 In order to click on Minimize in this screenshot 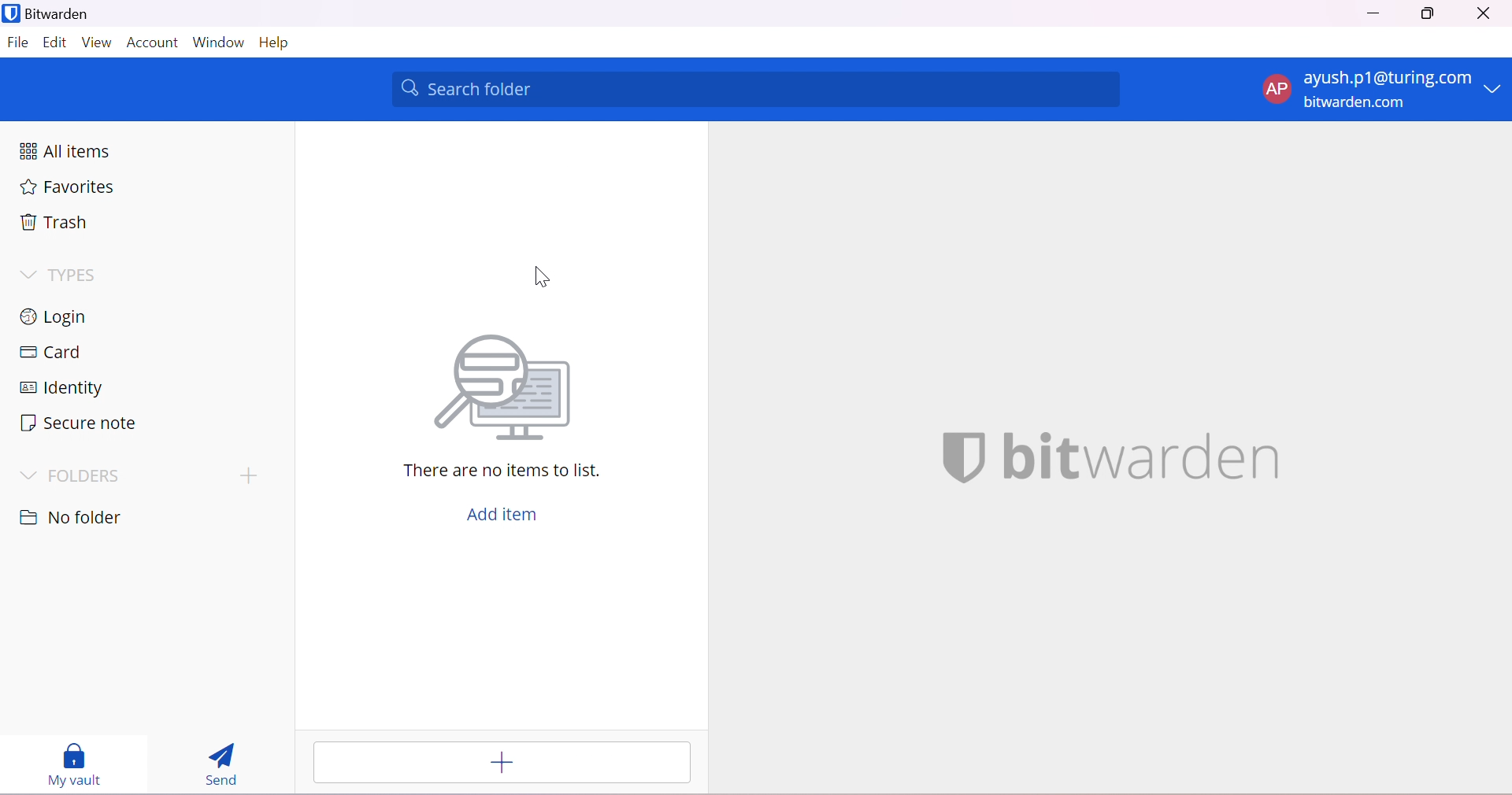, I will do `click(1373, 12)`.